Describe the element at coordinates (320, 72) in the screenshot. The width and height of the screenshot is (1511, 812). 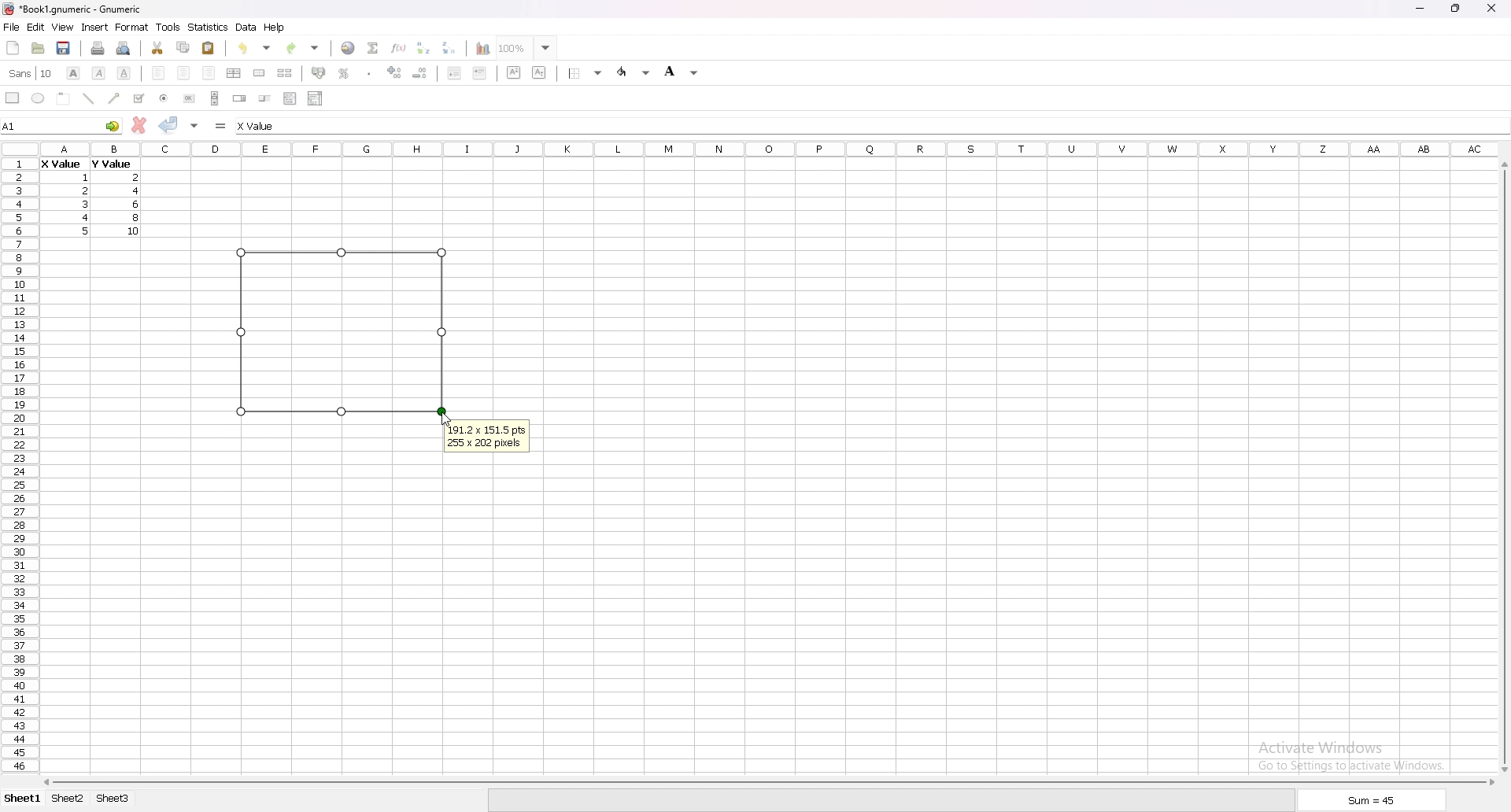
I see `accounting` at that location.